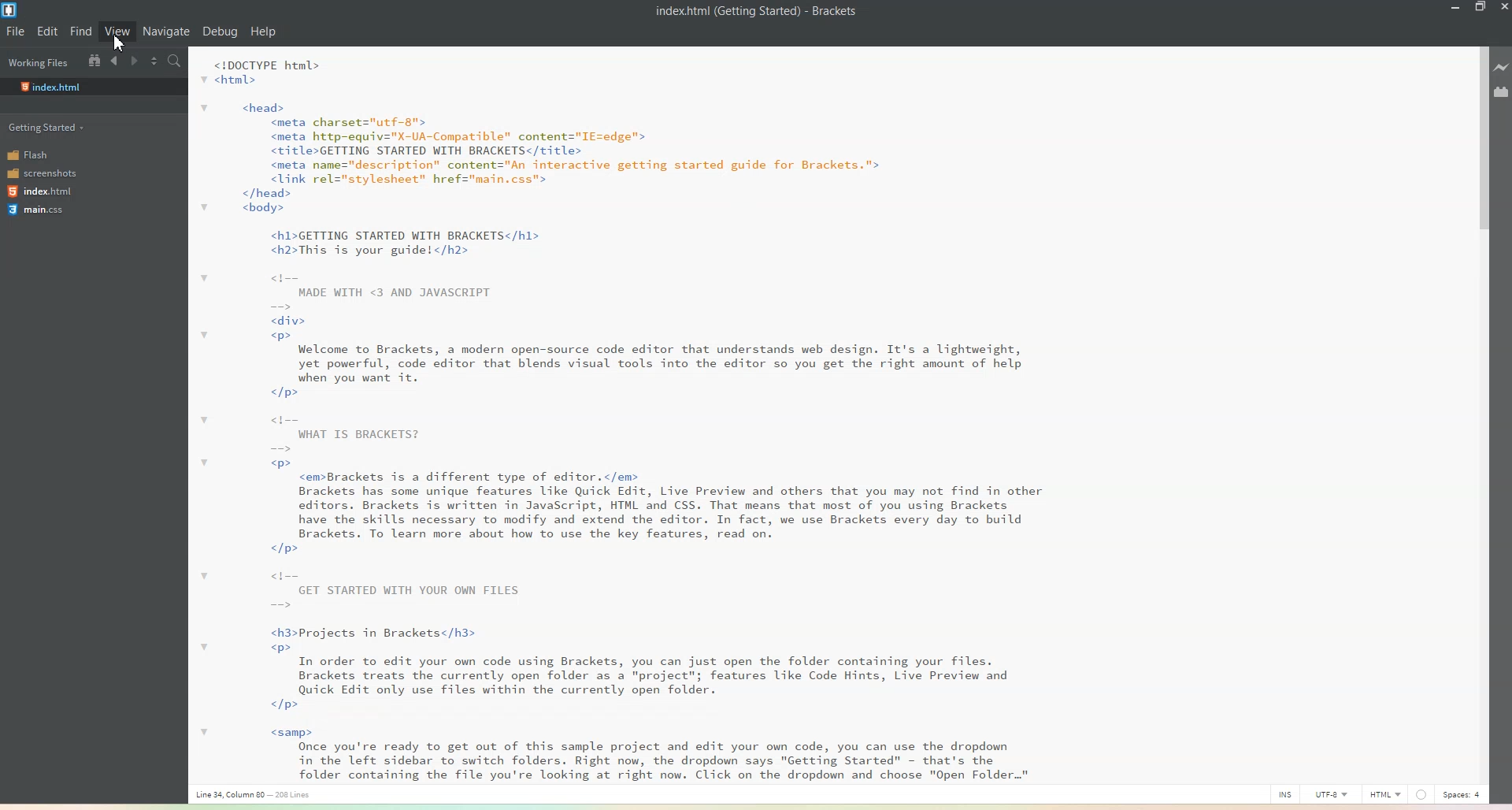 The image size is (1512, 810). I want to click on Help, so click(262, 32).